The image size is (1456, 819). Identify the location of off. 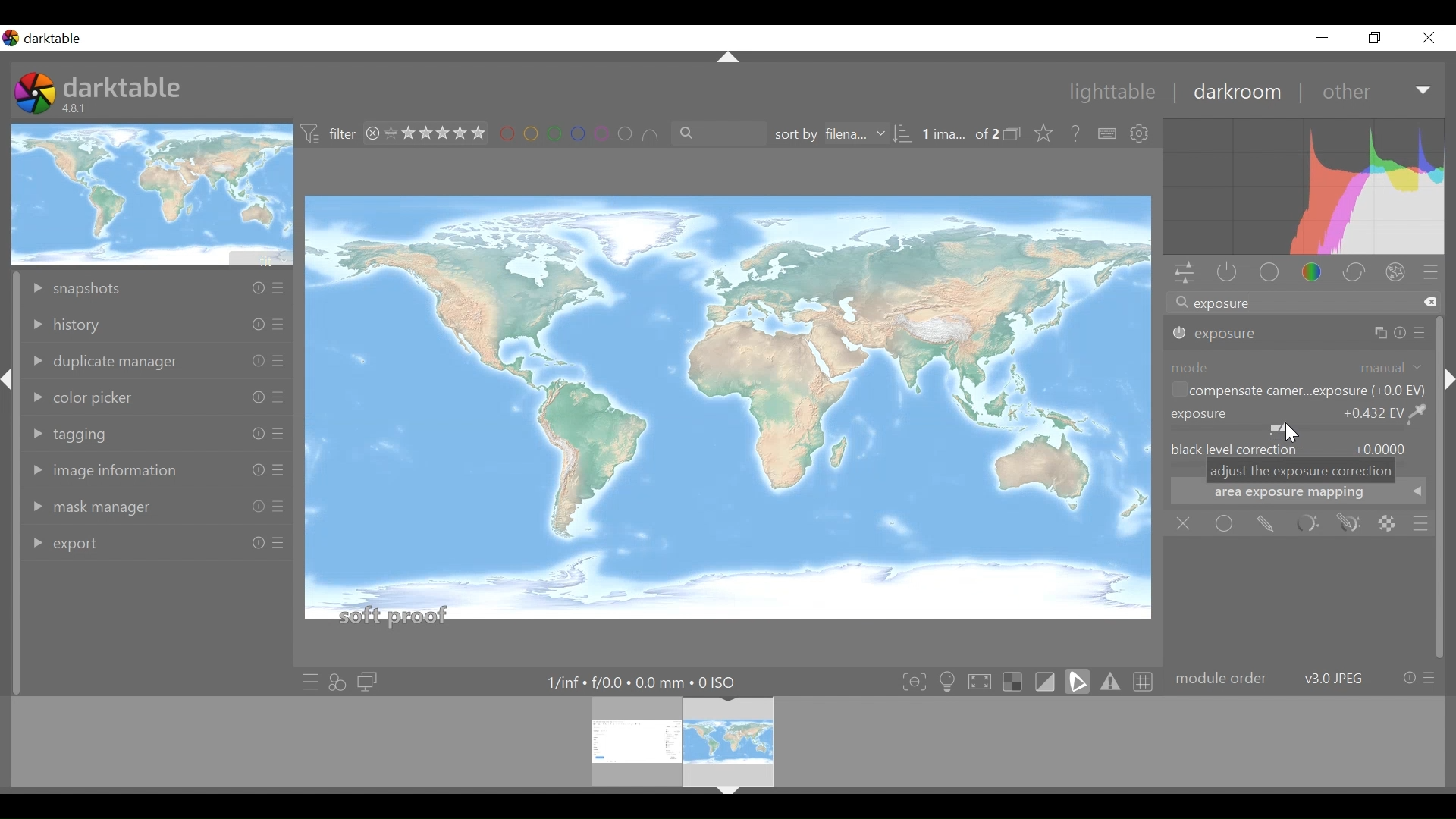
(1187, 524).